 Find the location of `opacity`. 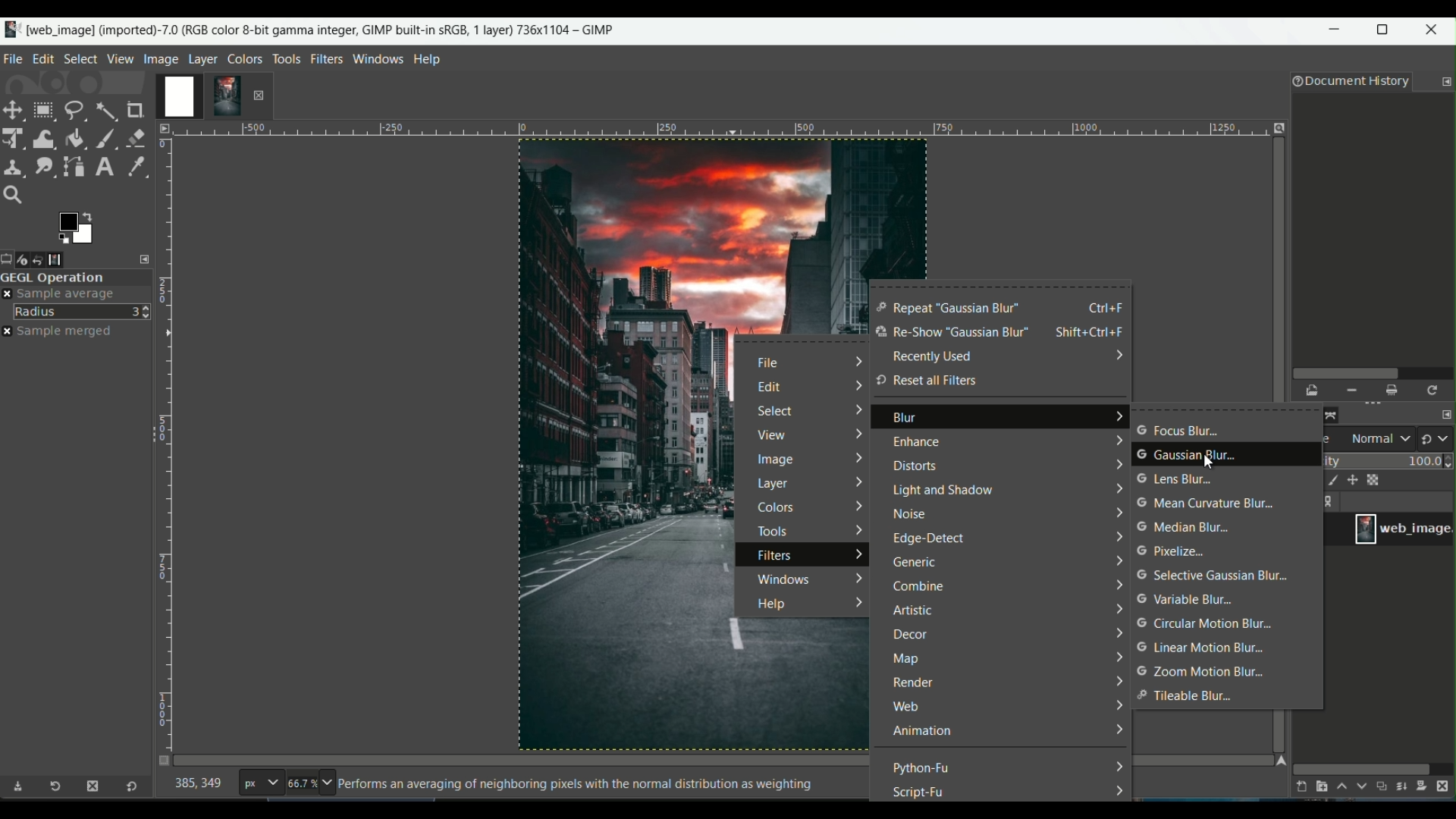

opacity is located at coordinates (1389, 460).